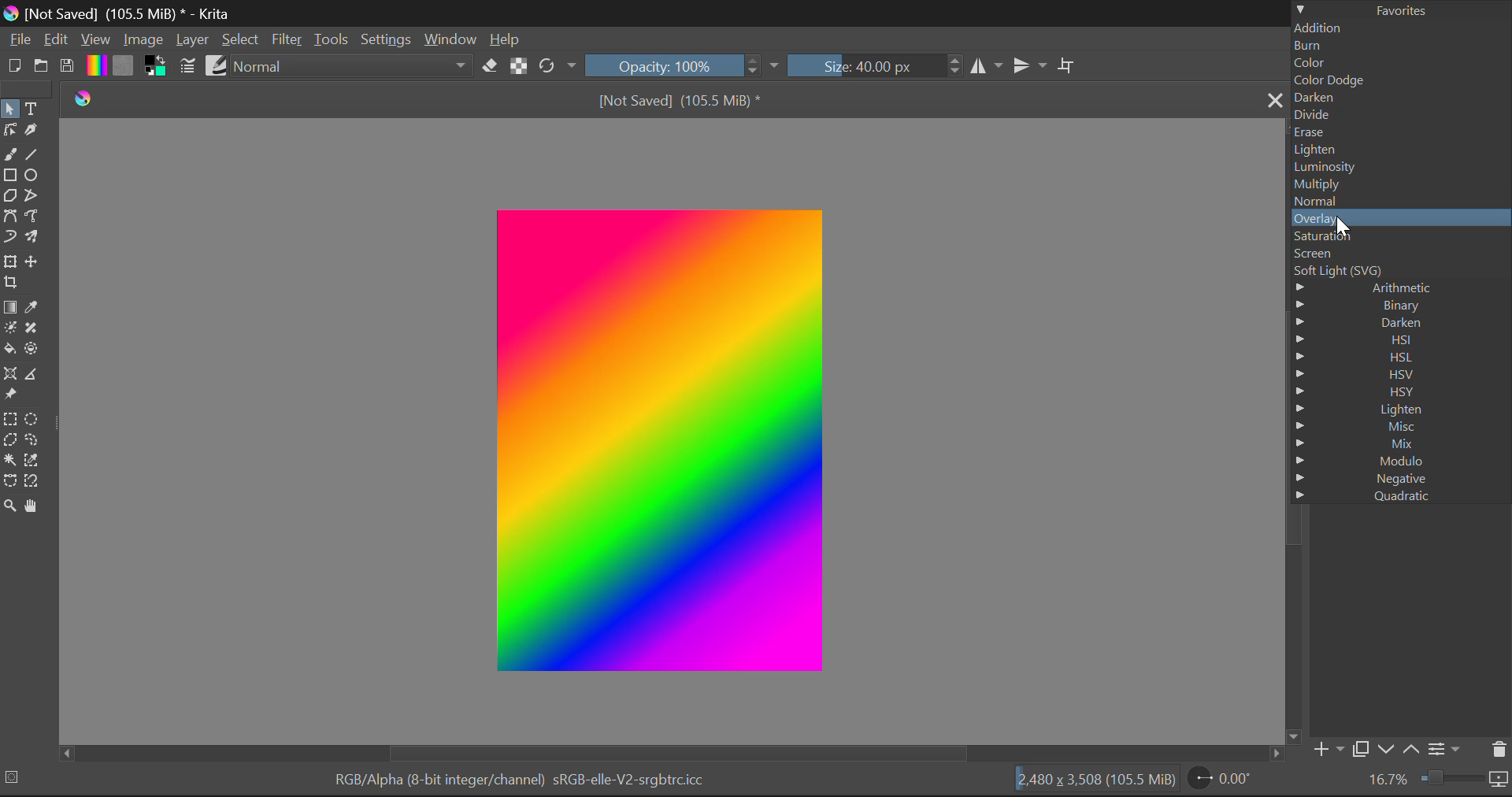  What do you see at coordinates (1403, 9) in the screenshot?
I see `Favorites` at bounding box center [1403, 9].